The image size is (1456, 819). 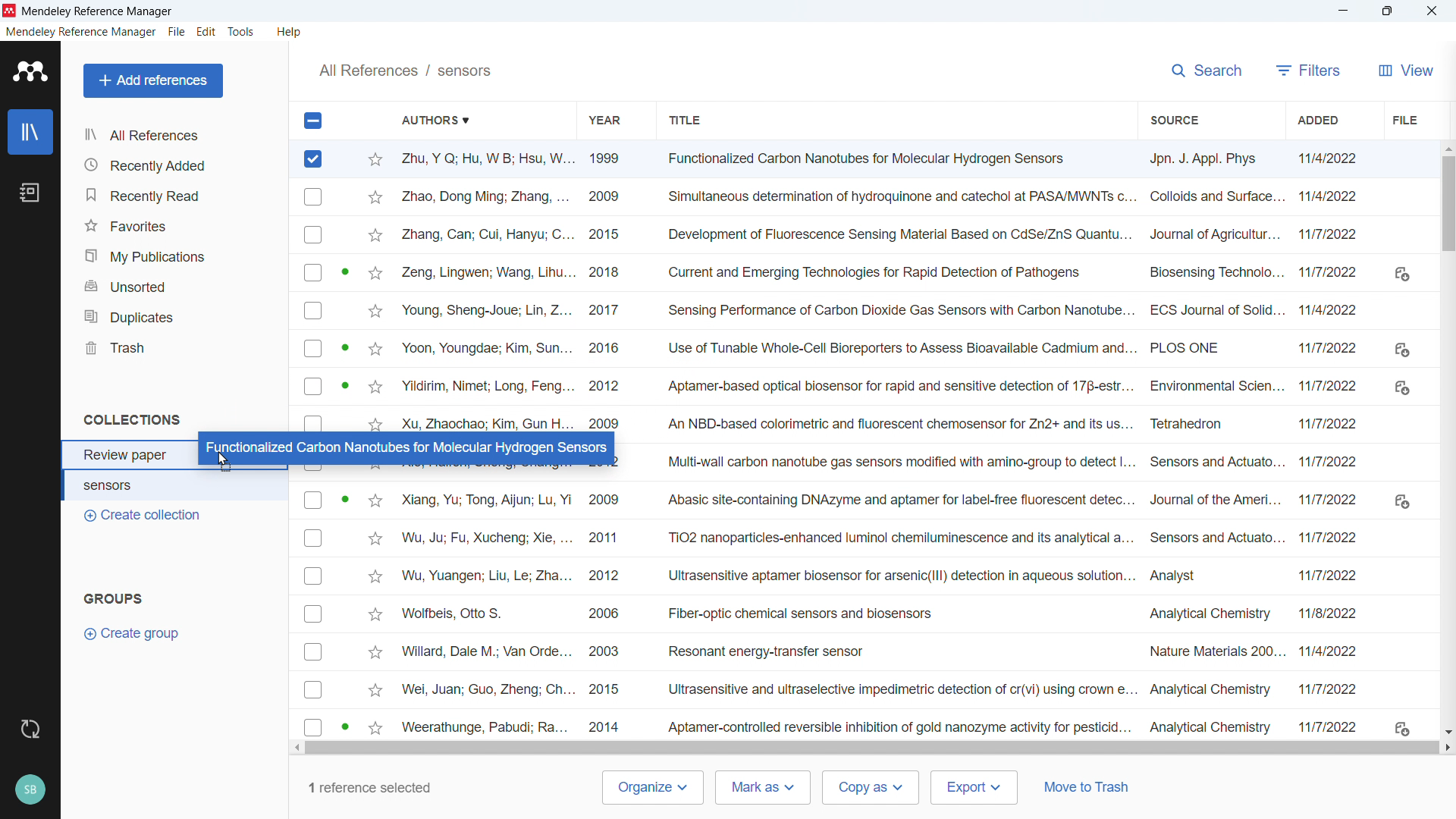 What do you see at coordinates (973, 787) in the screenshot?
I see `Export` at bounding box center [973, 787].